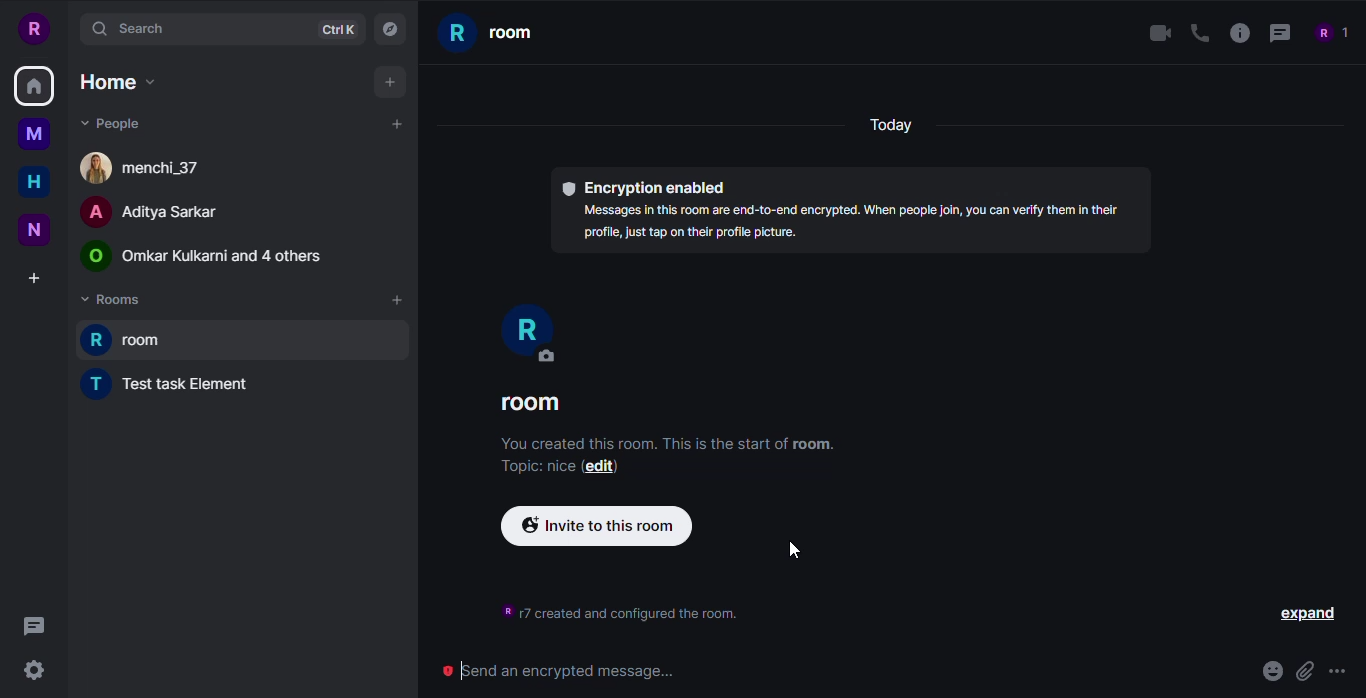 This screenshot has height=698, width=1366. What do you see at coordinates (153, 343) in the screenshot?
I see `room created` at bounding box center [153, 343].